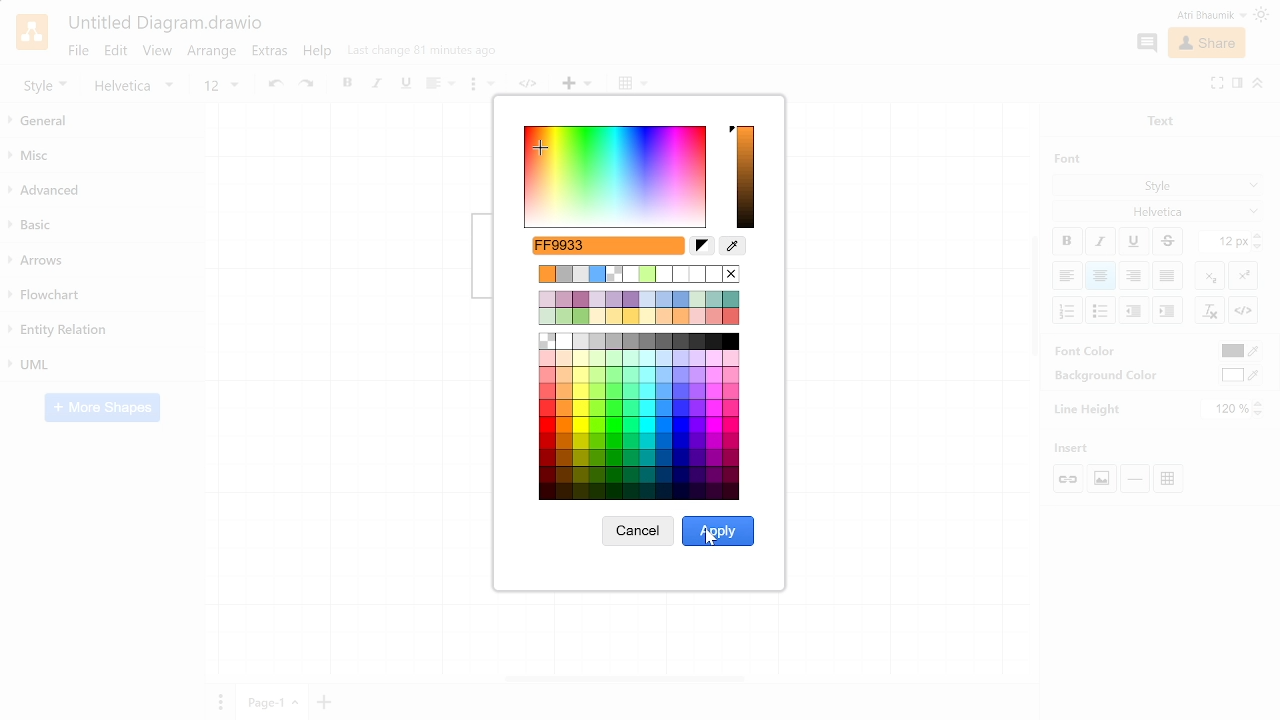 The height and width of the screenshot is (720, 1280). Describe the element at coordinates (116, 51) in the screenshot. I see `Edit` at that location.